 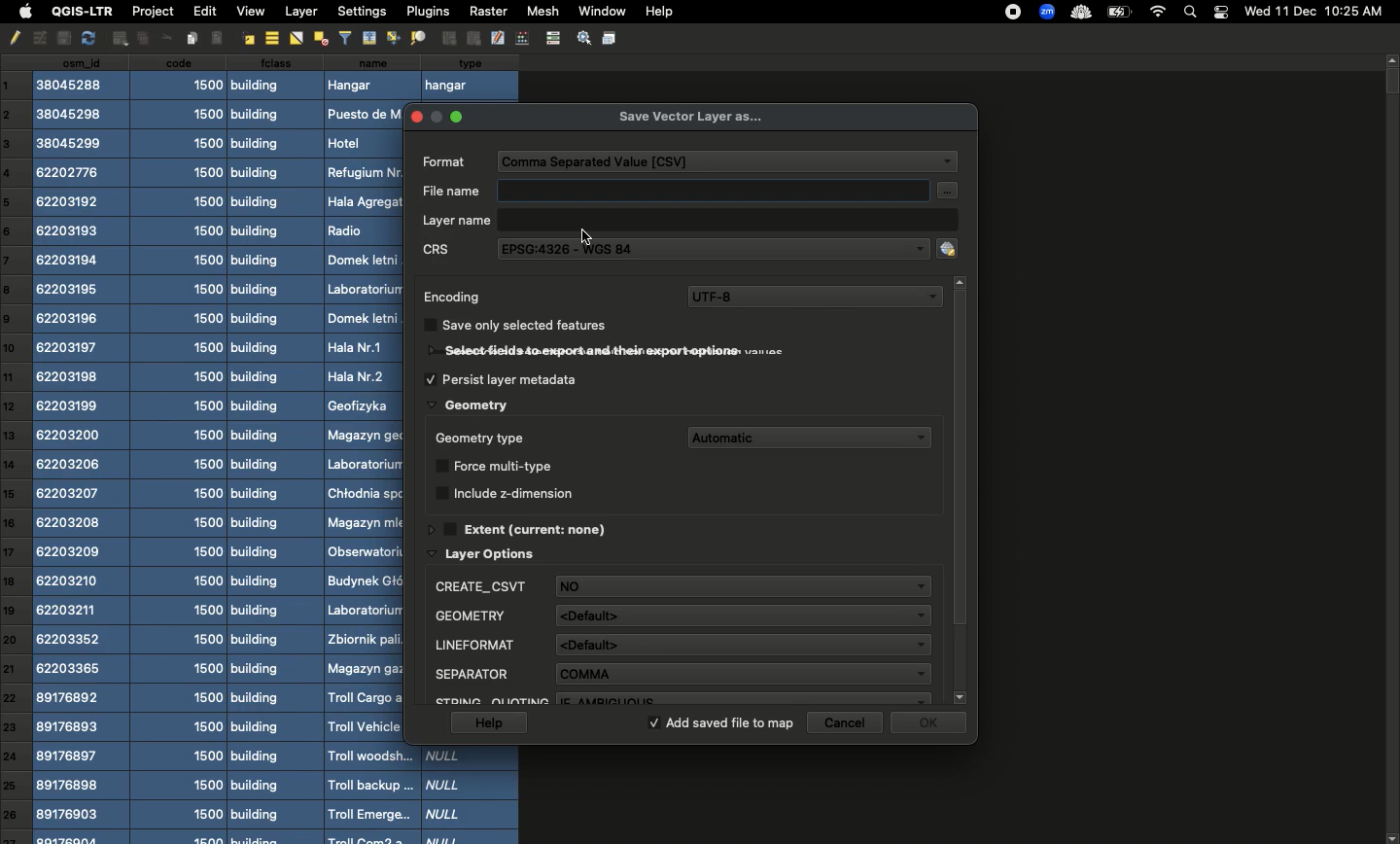 I want to click on maximise, so click(x=458, y=116).